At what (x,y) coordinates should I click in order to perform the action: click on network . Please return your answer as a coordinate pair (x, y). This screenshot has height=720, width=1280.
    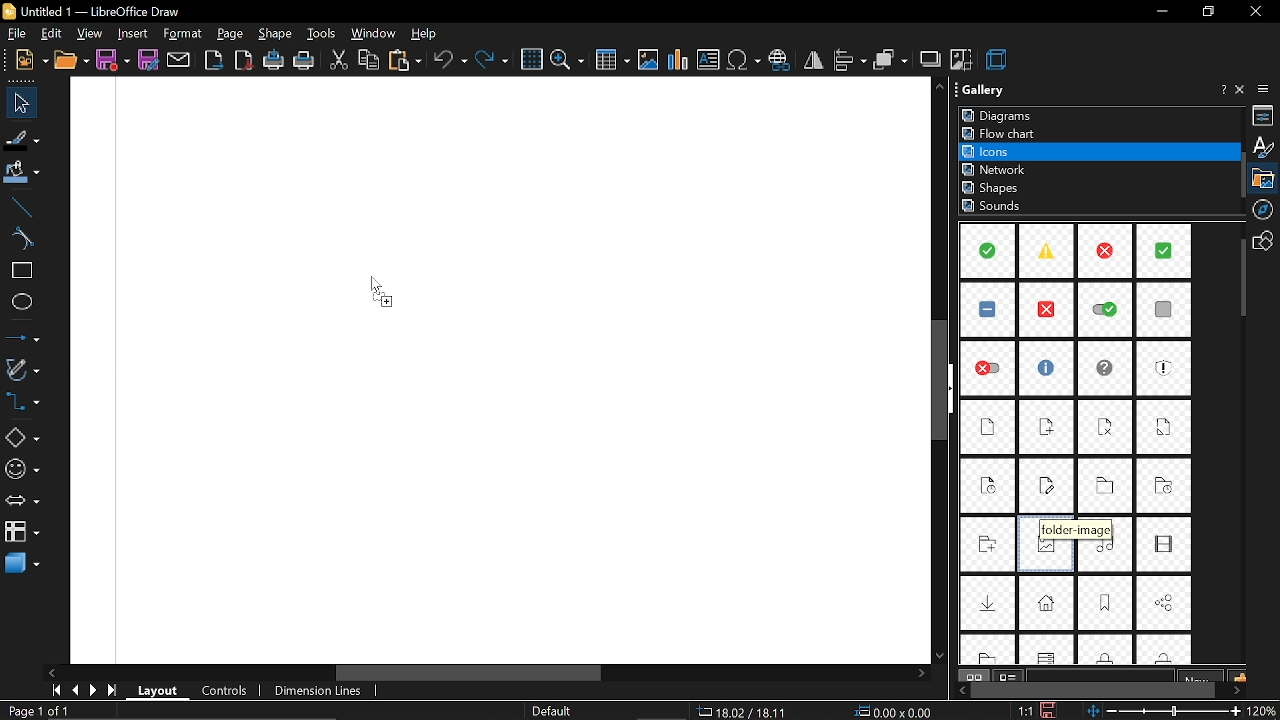
    Looking at the image, I should click on (997, 169).